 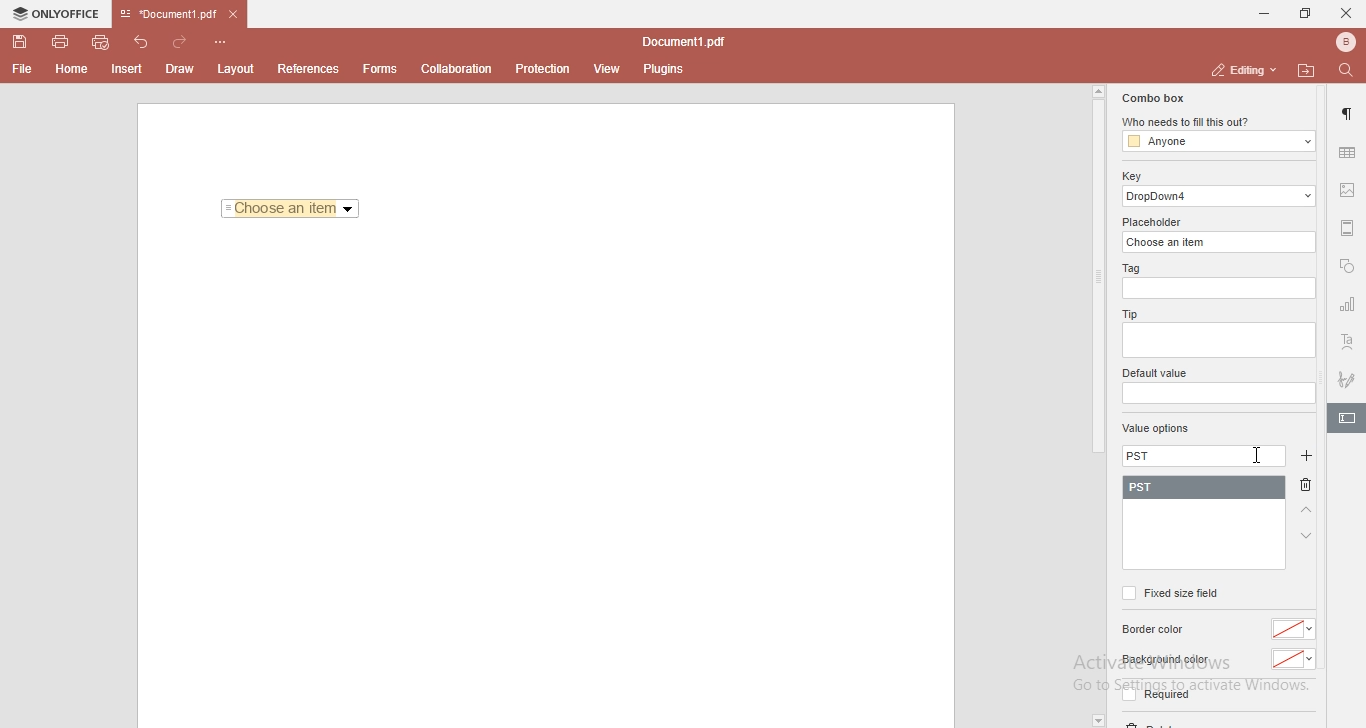 I want to click on Insert, so click(x=127, y=70).